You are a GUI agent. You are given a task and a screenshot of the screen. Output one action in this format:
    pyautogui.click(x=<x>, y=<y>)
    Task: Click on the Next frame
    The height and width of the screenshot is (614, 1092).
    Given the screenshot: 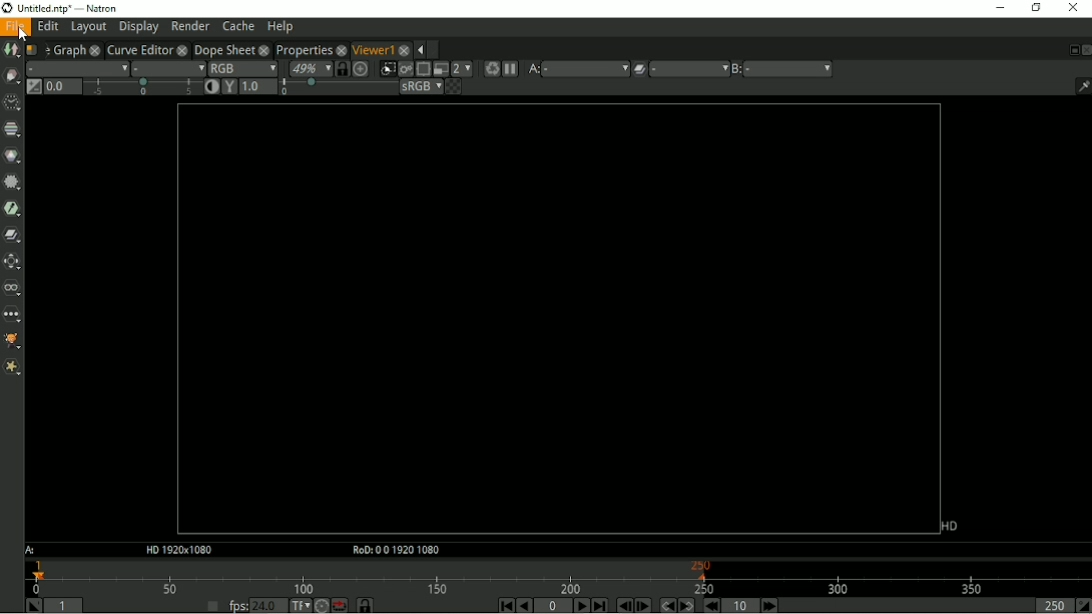 What is the action you would take?
    pyautogui.click(x=643, y=605)
    